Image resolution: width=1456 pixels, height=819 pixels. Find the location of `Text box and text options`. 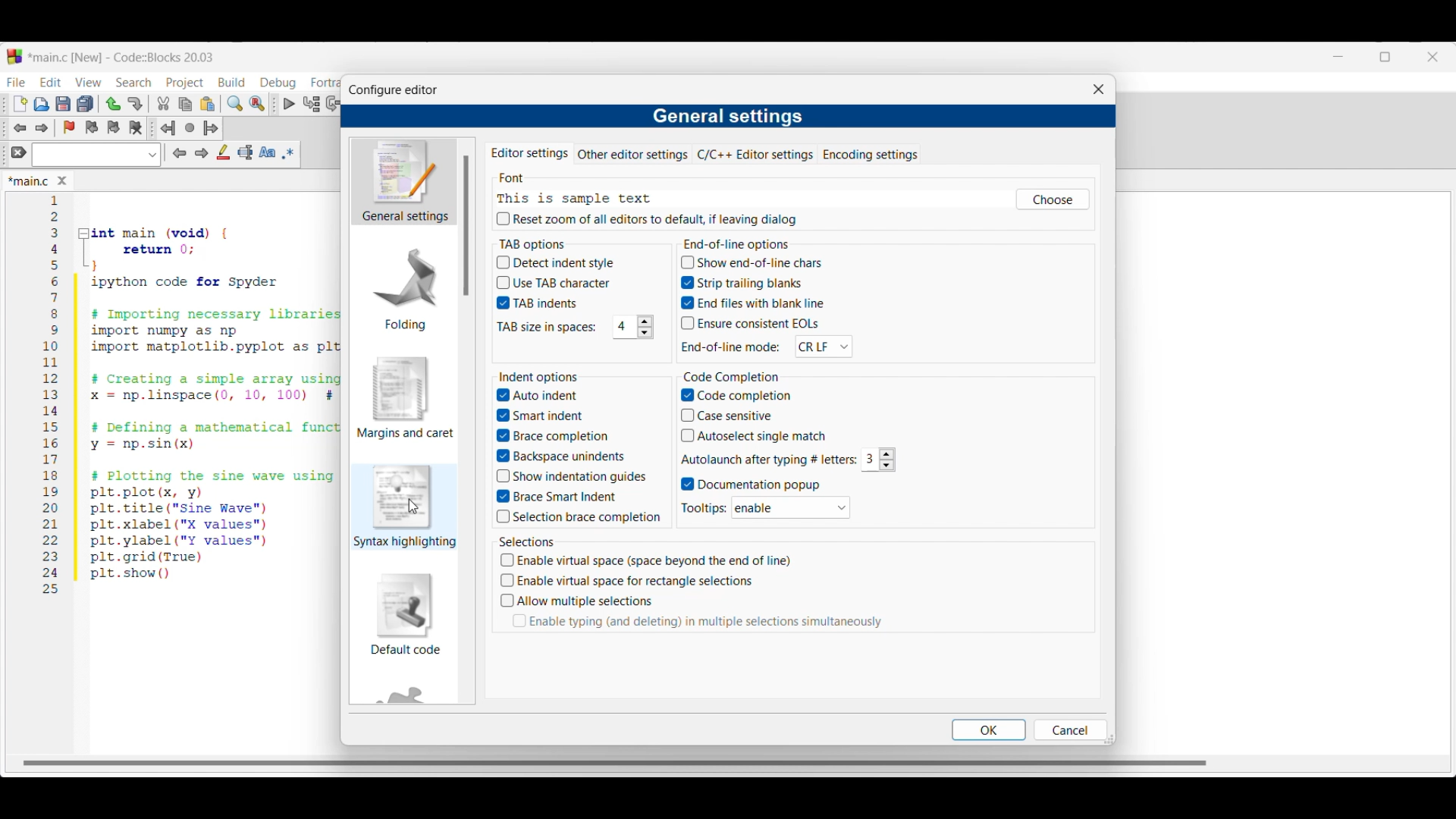

Text box and text options is located at coordinates (96, 155).